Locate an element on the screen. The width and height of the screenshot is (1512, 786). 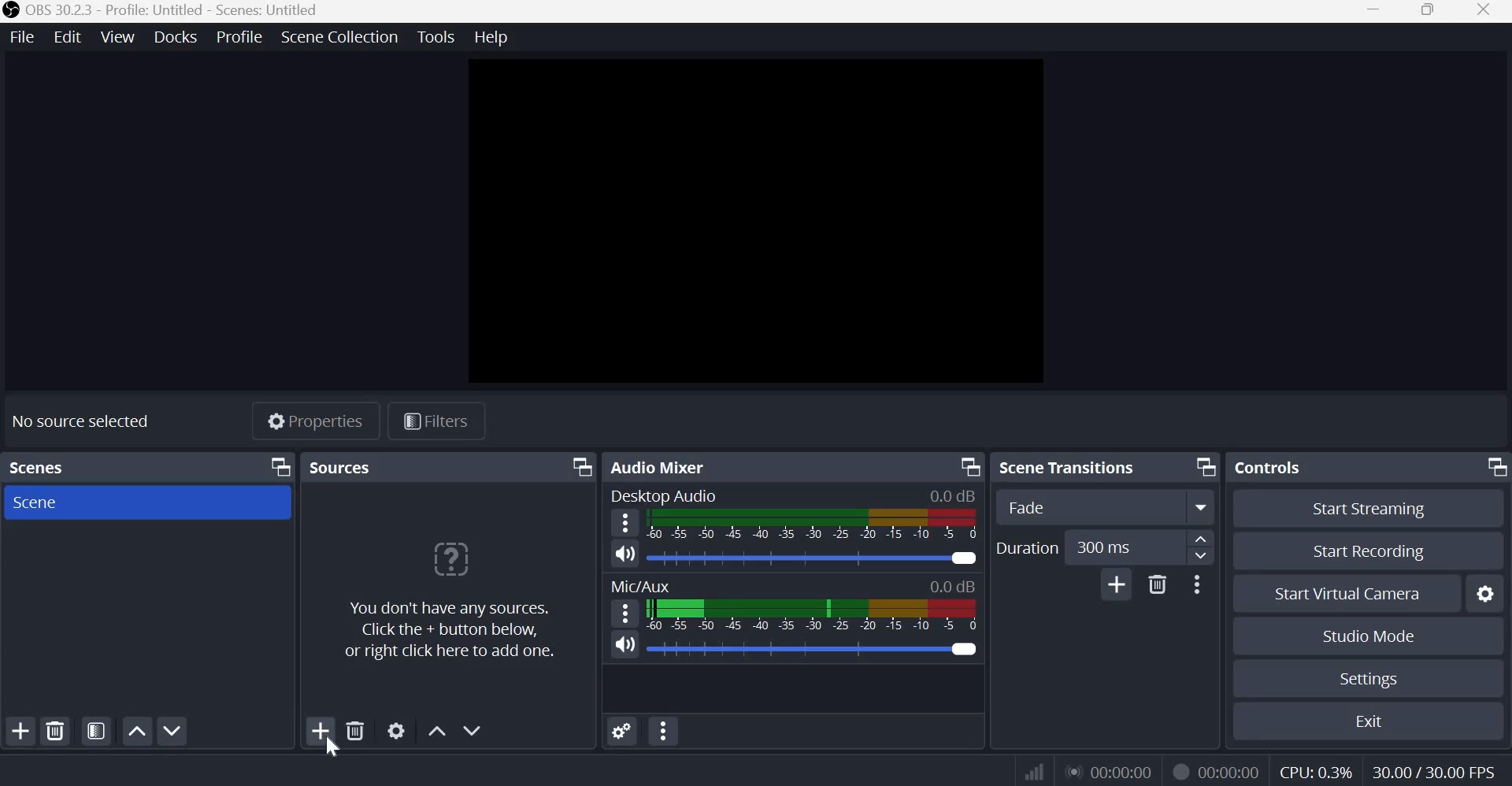
Transition Type Dropdown is located at coordinates (1106, 507).